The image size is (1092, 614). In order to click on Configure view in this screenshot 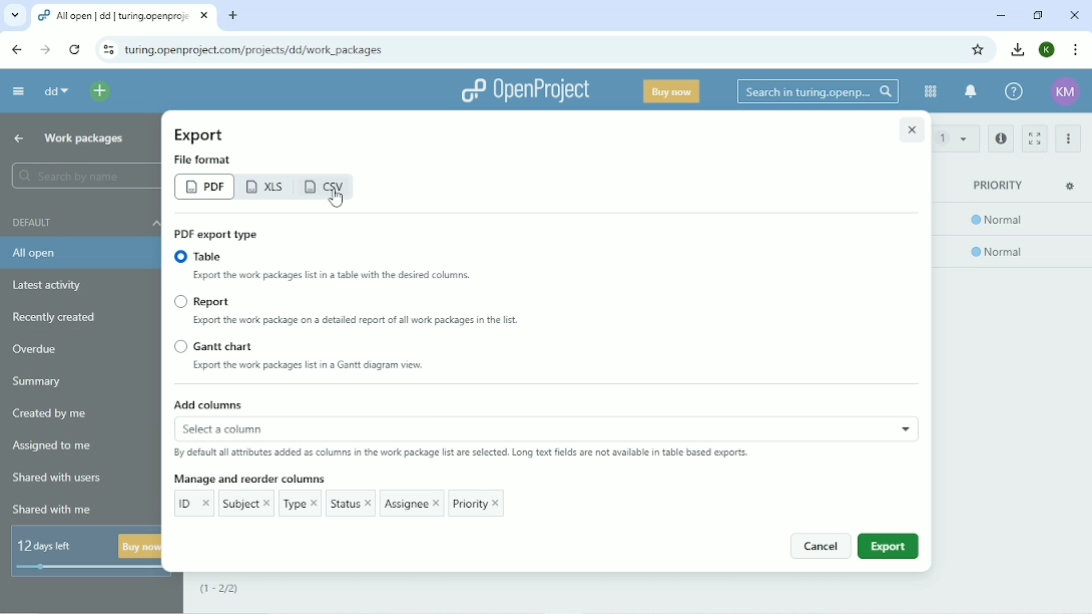, I will do `click(1072, 186)`.